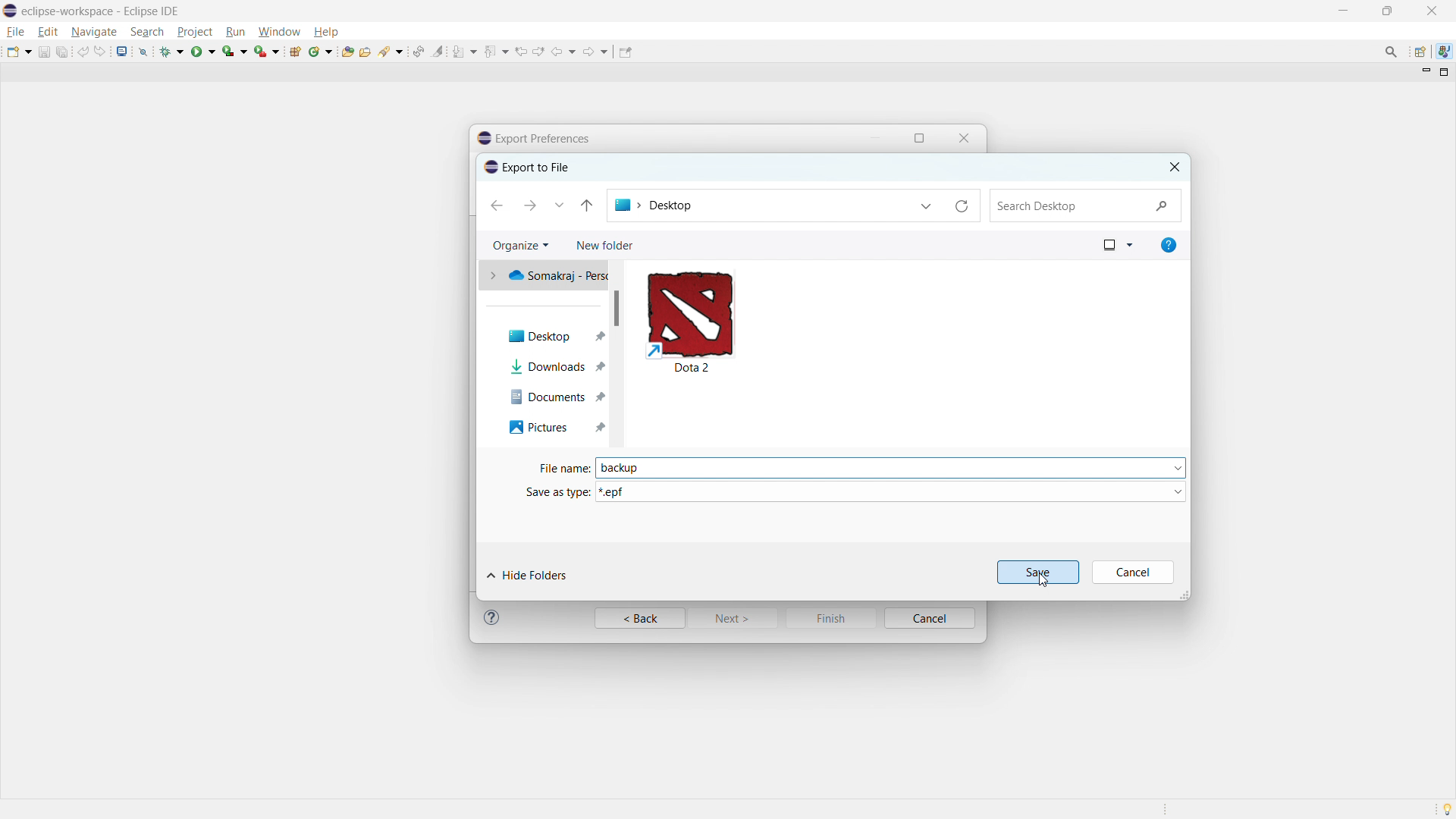 Image resolution: width=1456 pixels, height=819 pixels. What do you see at coordinates (465, 52) in the screenshot?
I see `next annotation` at bounding box center [465, 52].